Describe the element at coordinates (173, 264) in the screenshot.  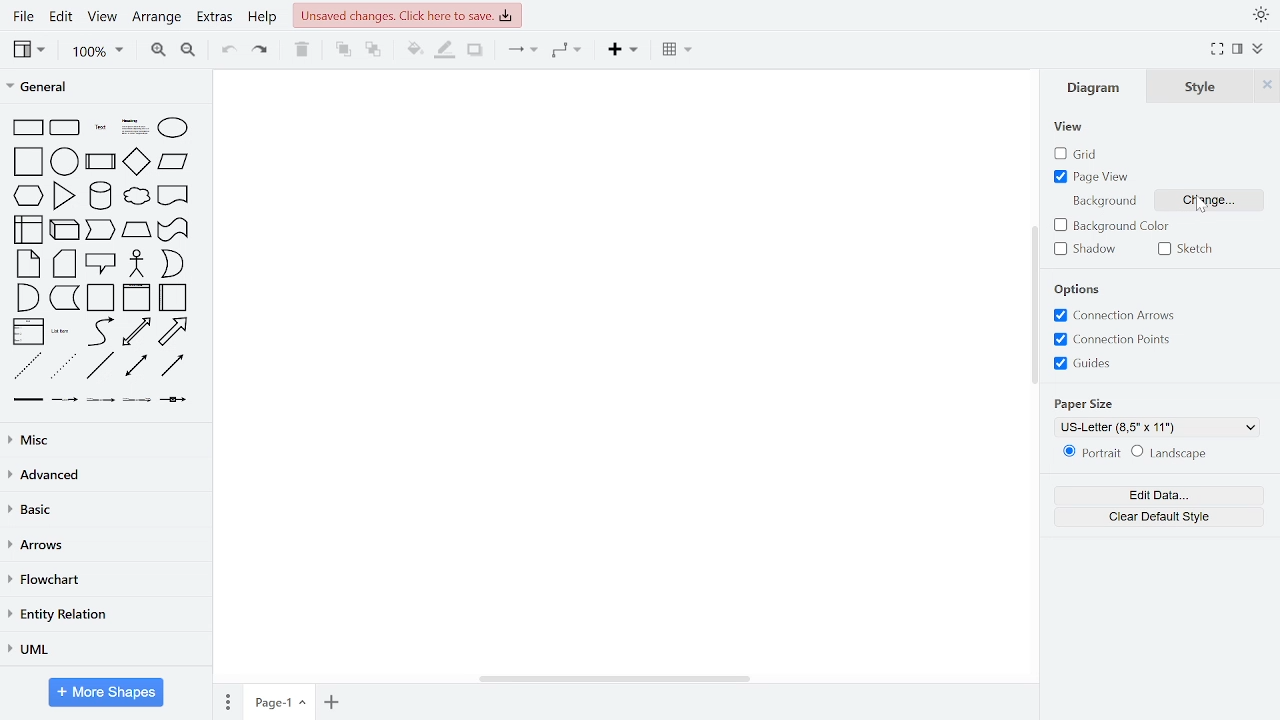
I see `general shapes` at that location.